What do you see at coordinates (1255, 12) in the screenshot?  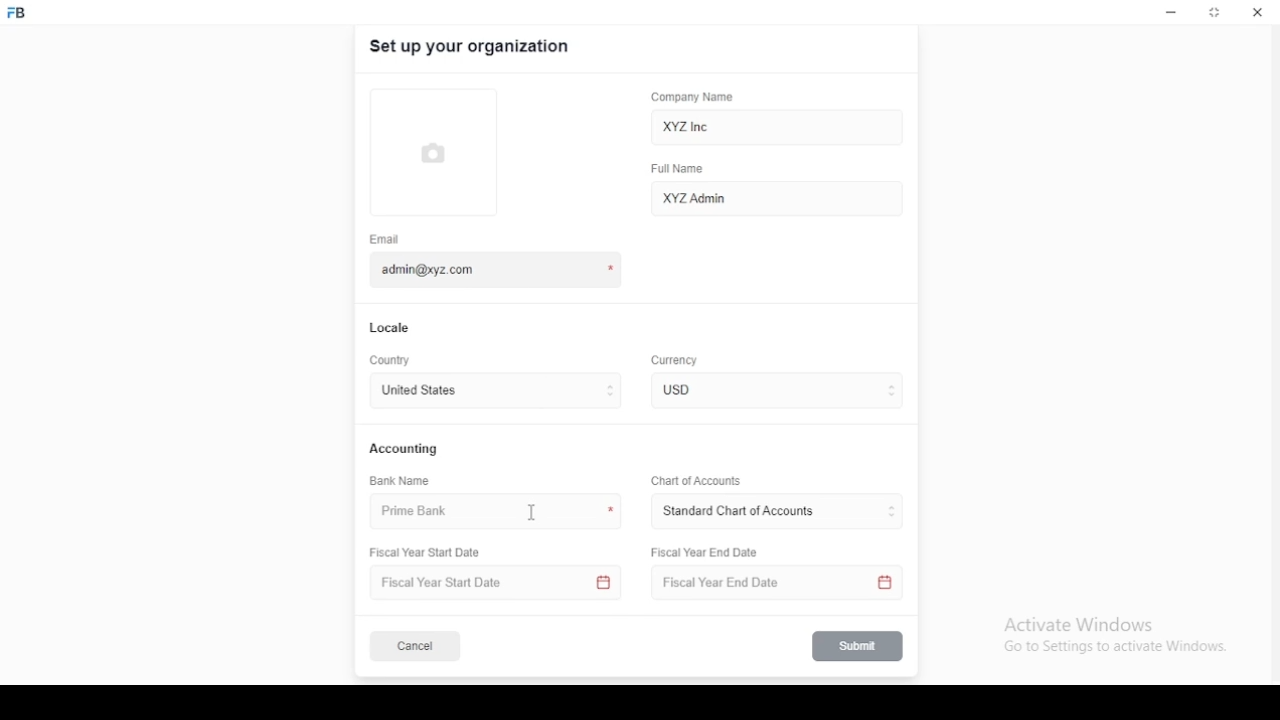 I see `close window` at bounding box center [1255, 12].